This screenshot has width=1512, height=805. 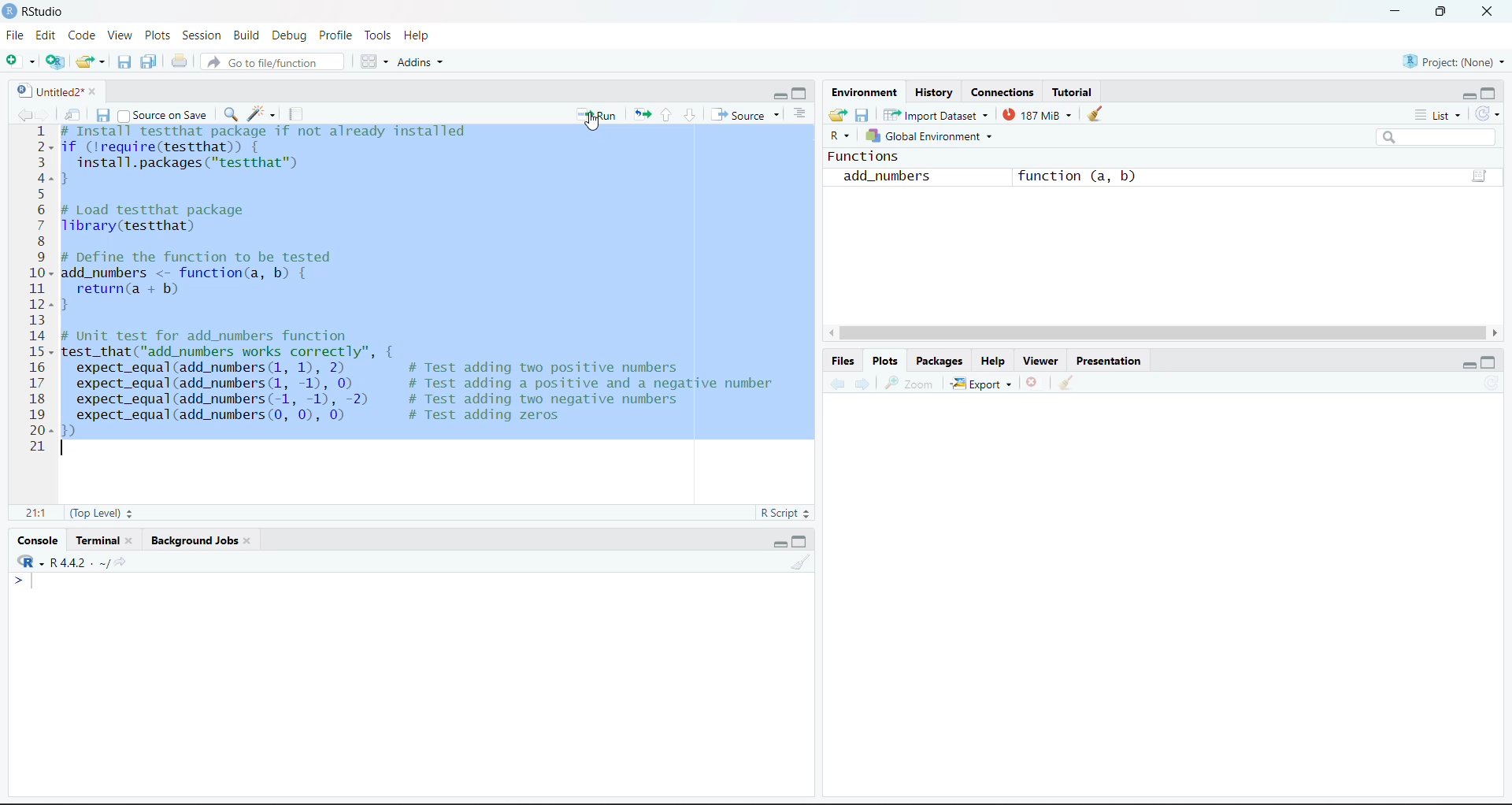 I want to click on zoom, so click(x=911, y=382).